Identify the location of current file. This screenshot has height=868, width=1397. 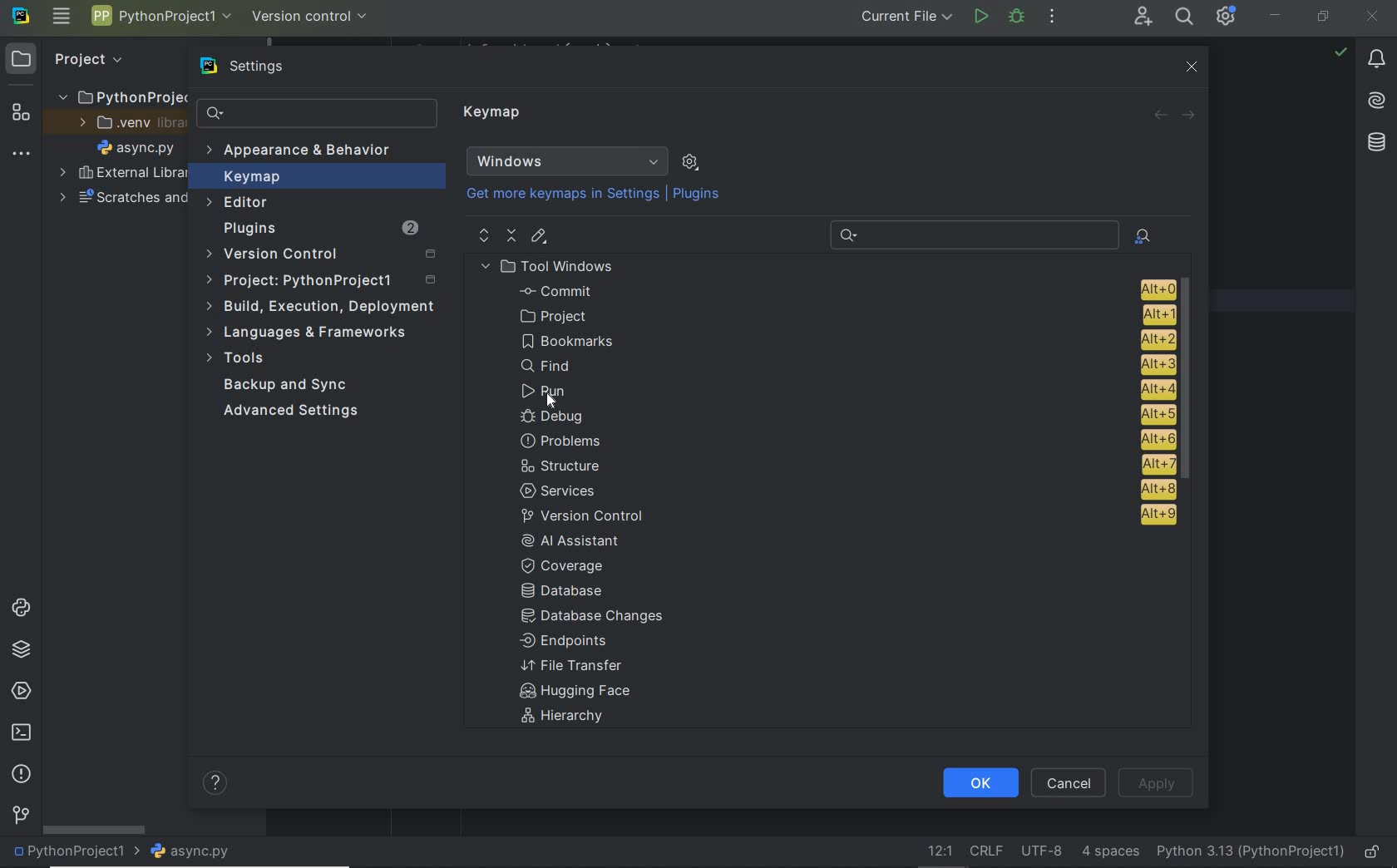
(901, 18).